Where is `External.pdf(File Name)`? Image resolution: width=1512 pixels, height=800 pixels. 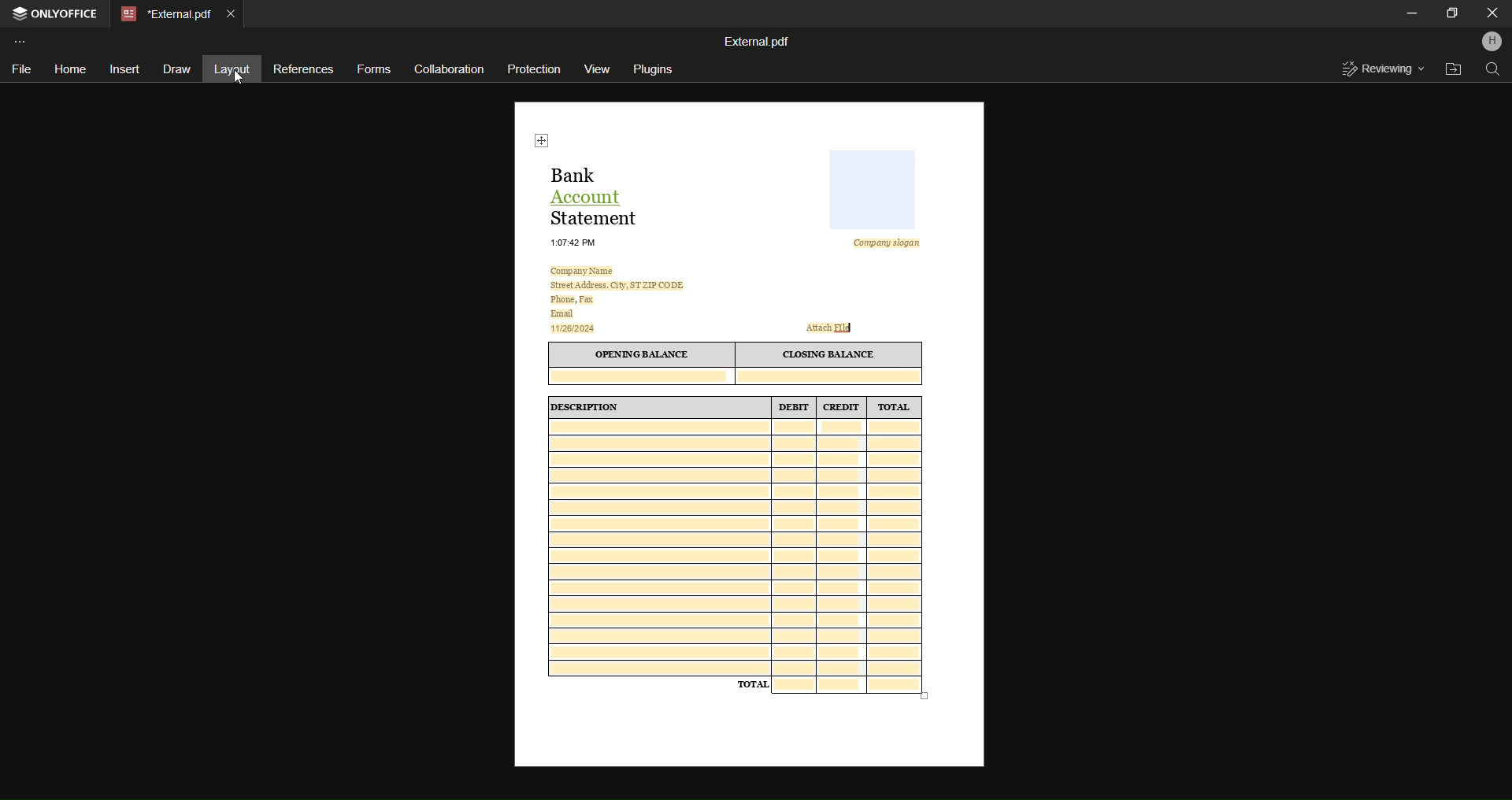 External.pdf(File Name) is located at coordinates (757, 40).